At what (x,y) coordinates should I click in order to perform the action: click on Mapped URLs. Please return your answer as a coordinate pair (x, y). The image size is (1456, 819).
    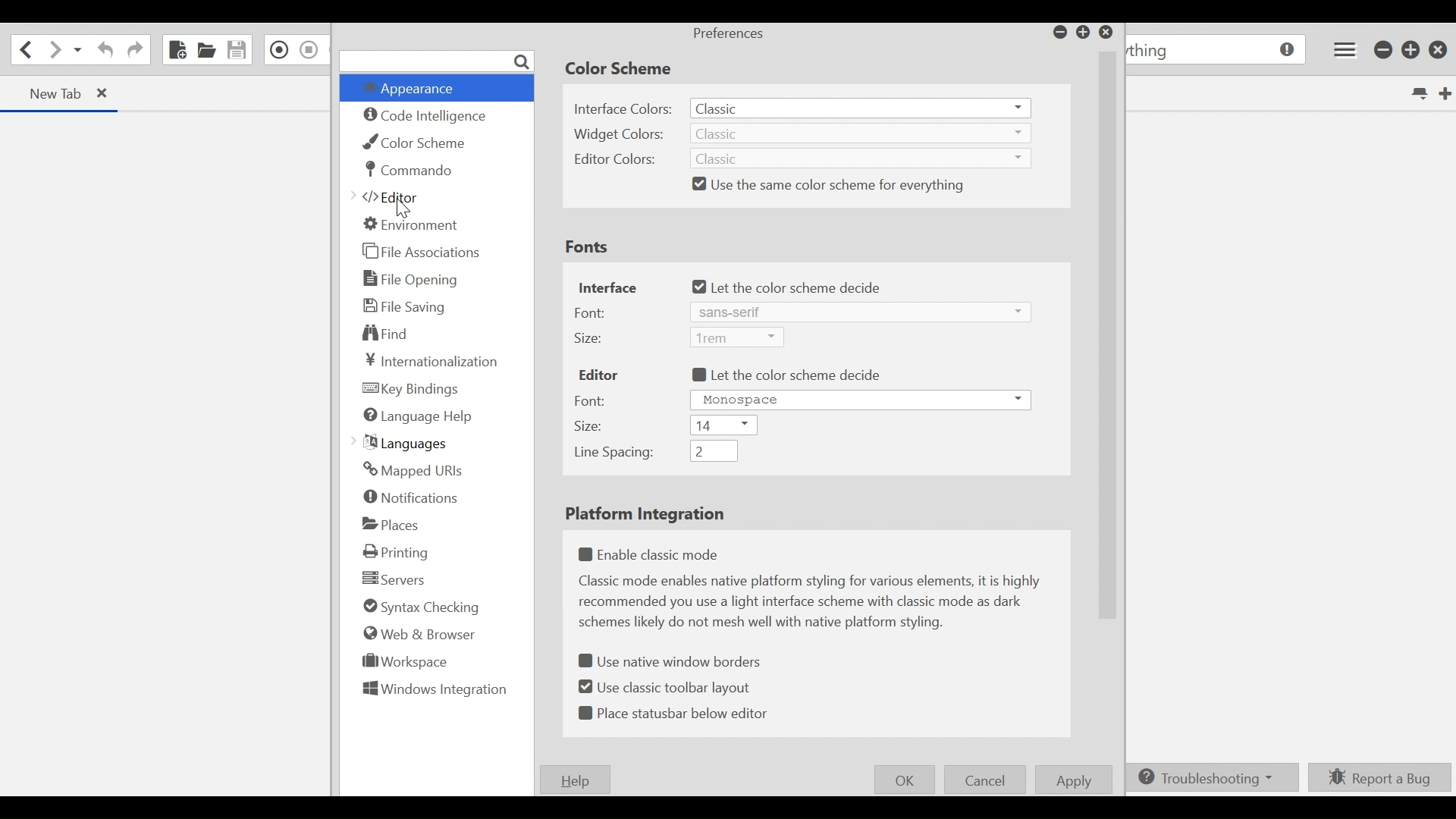
    Looking at the image, I should click on (413, 470).